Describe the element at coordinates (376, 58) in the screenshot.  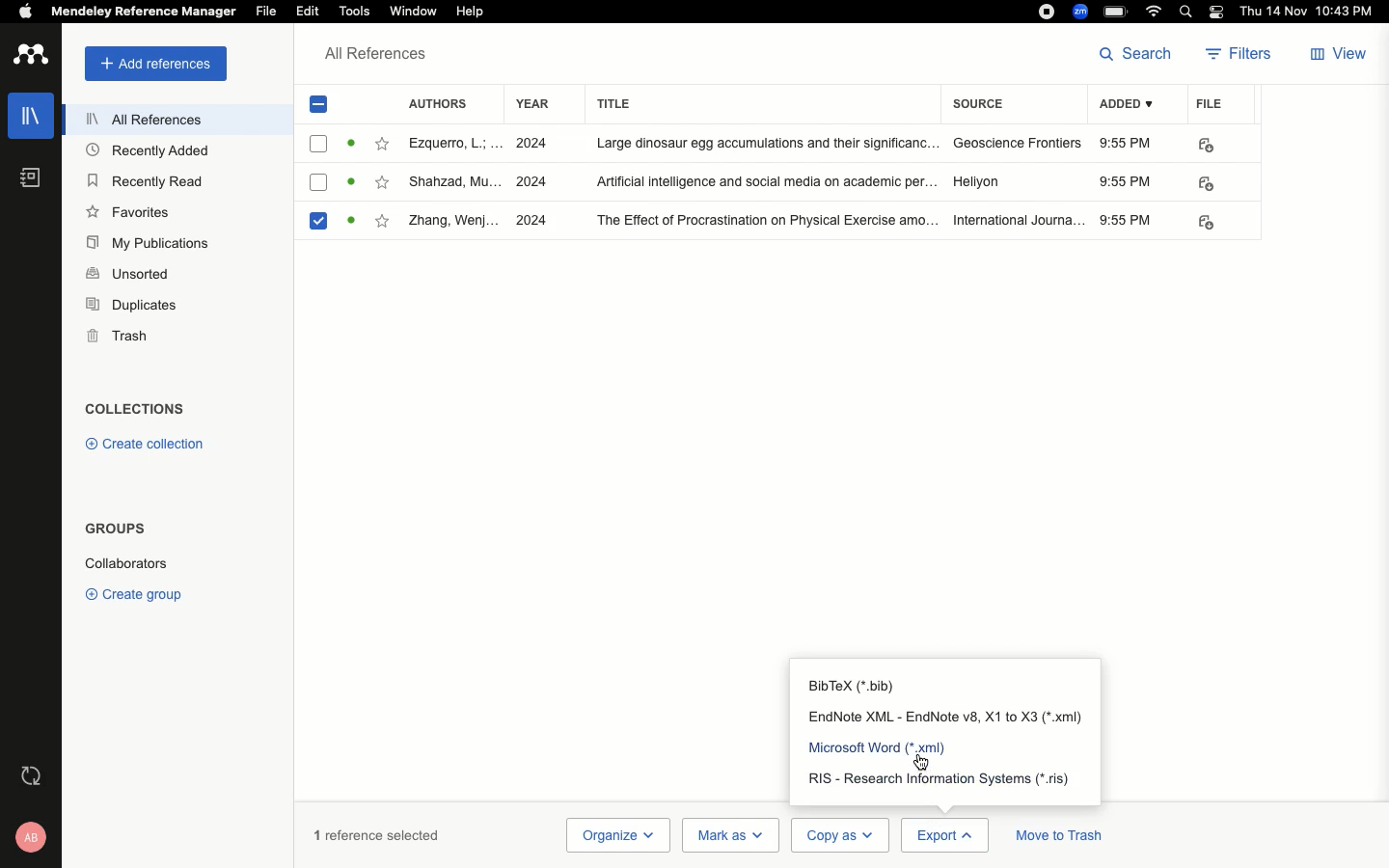
I see `All references` at that location.